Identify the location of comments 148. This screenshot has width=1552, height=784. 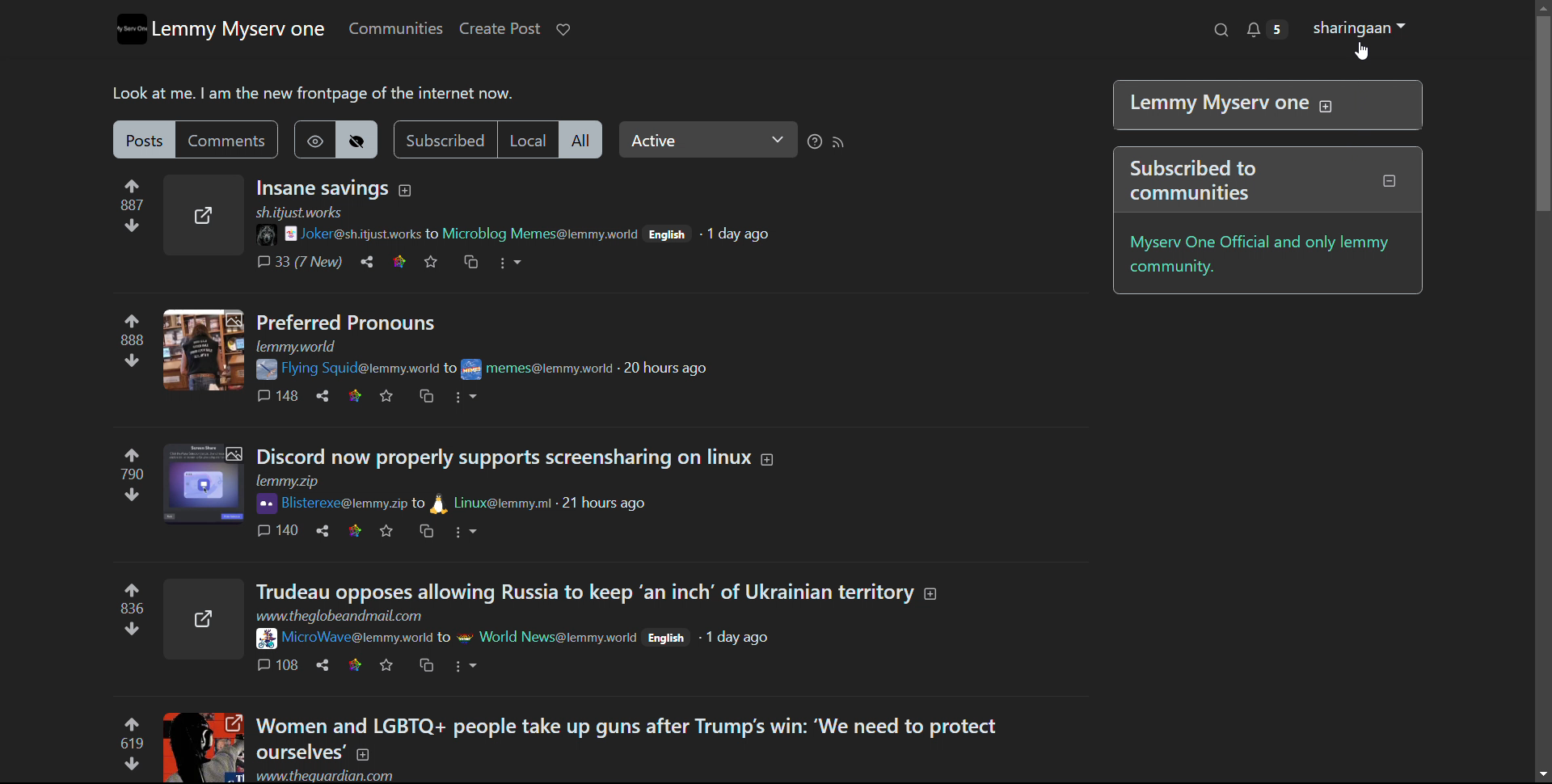
(277, 396).